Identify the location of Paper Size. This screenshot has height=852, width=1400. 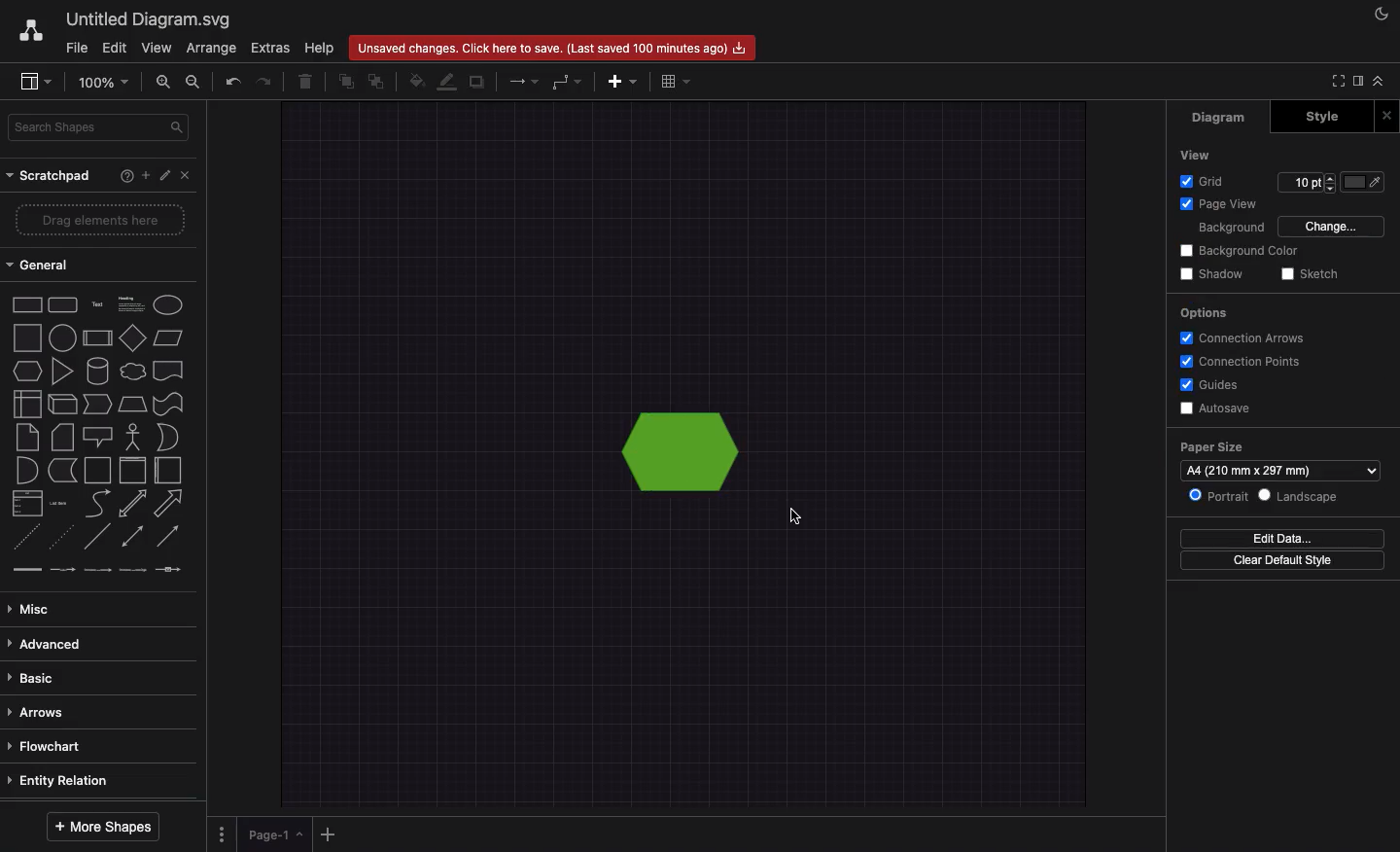
(1220, 448).